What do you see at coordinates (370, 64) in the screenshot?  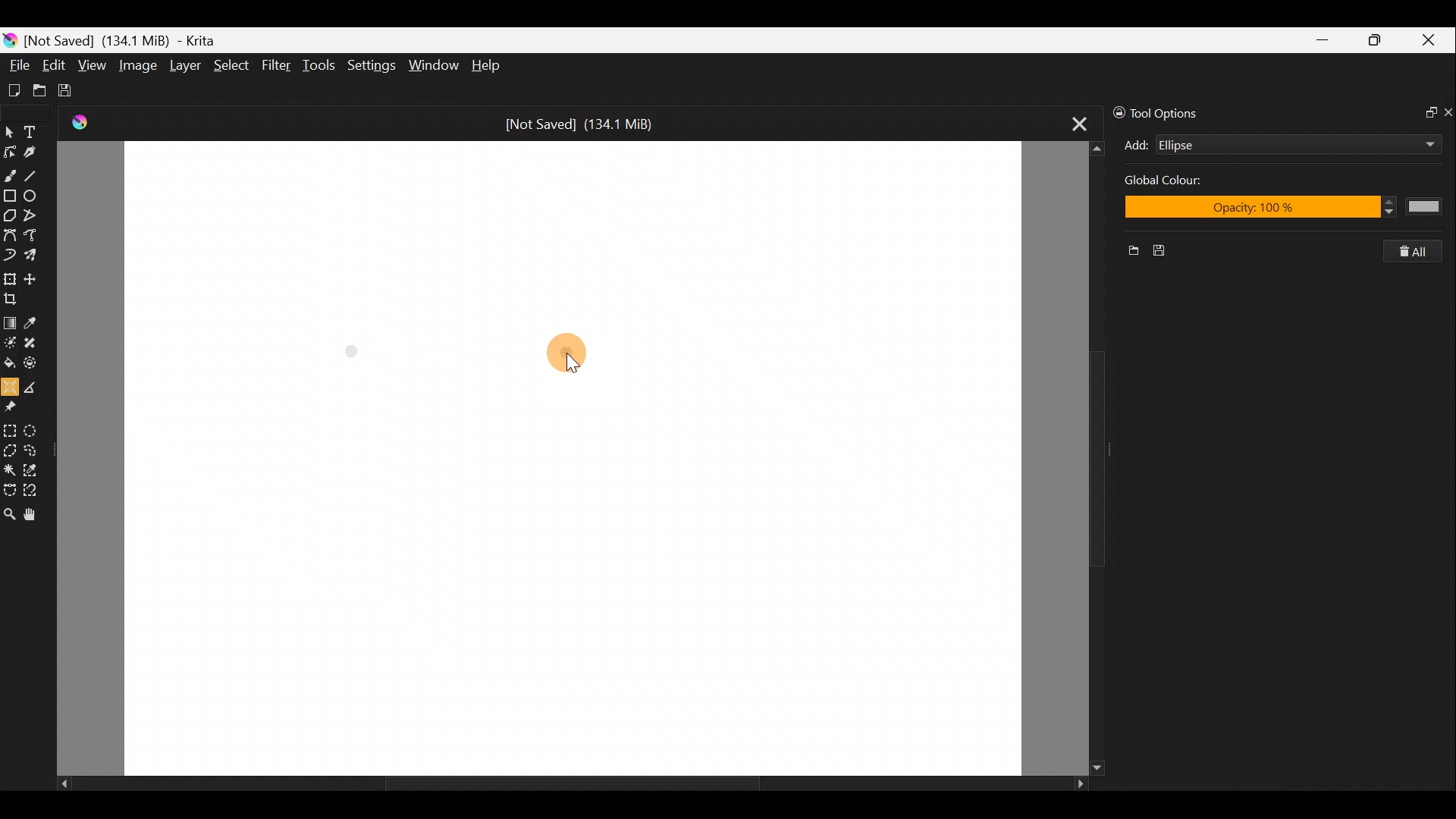 I see `Settings` at bounding box center [370, 64].